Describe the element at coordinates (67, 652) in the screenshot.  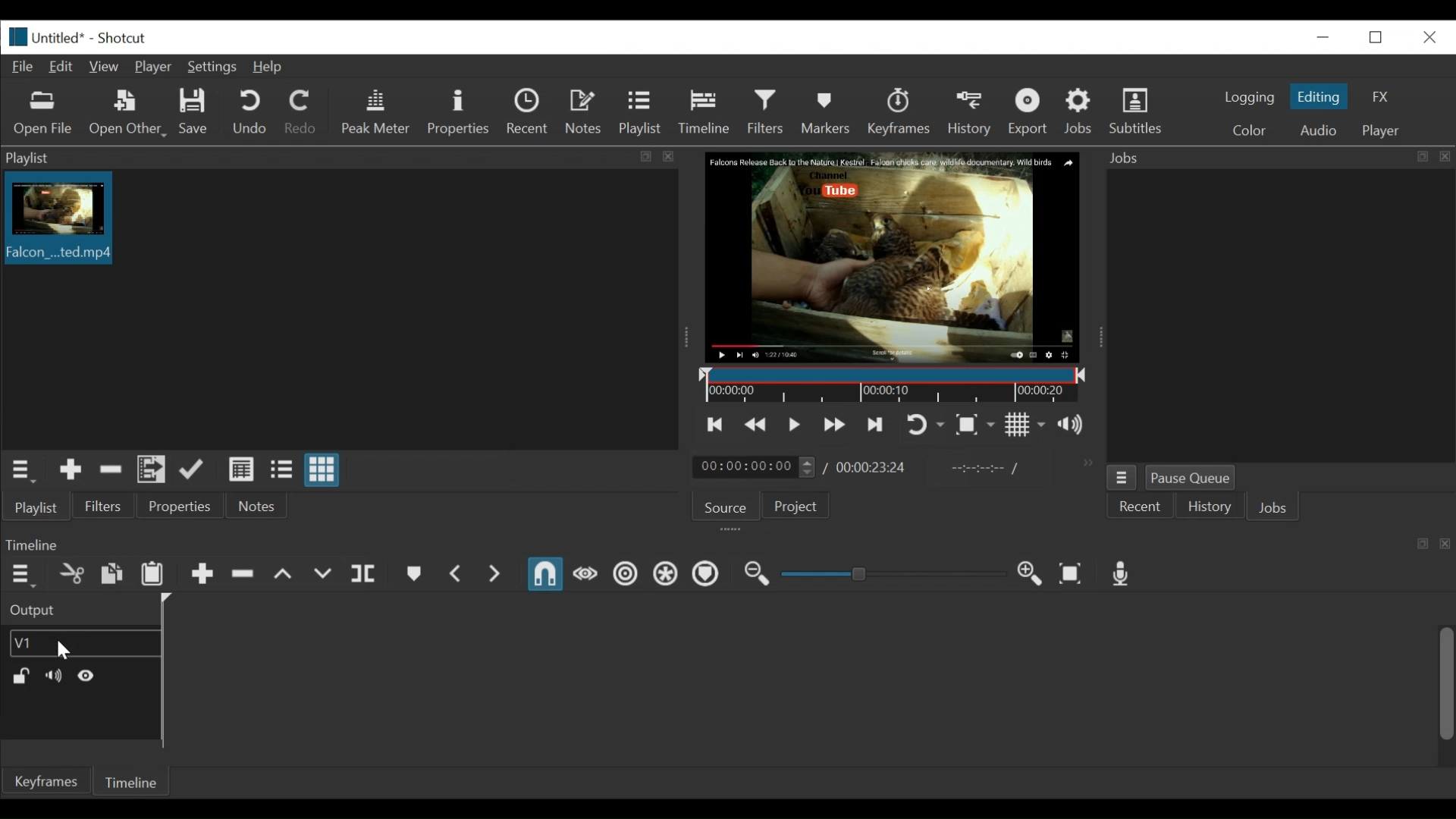
I see `Cursor` at that location.